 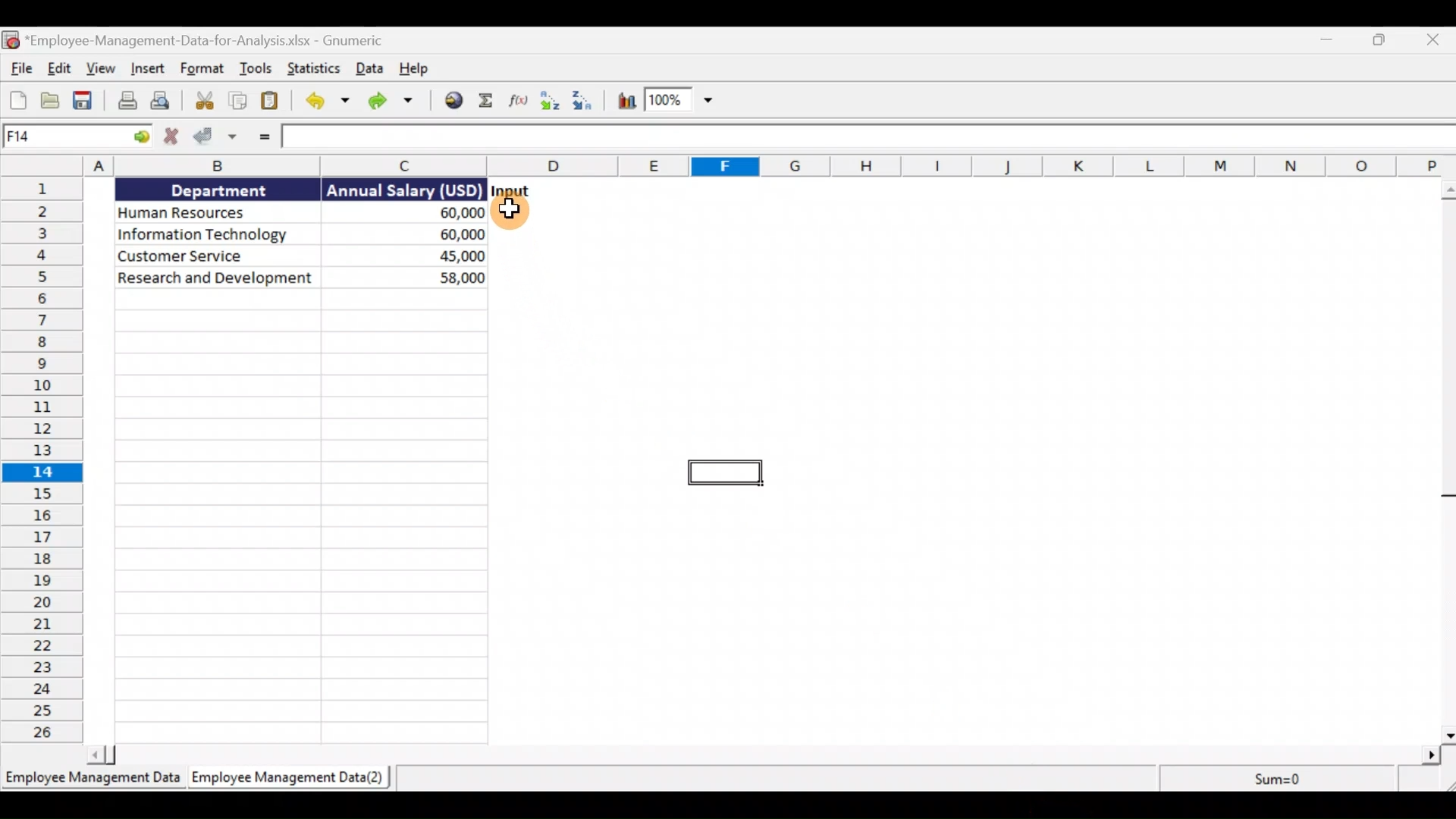 I want to click on Formula bar, so click(x=865, y=138).